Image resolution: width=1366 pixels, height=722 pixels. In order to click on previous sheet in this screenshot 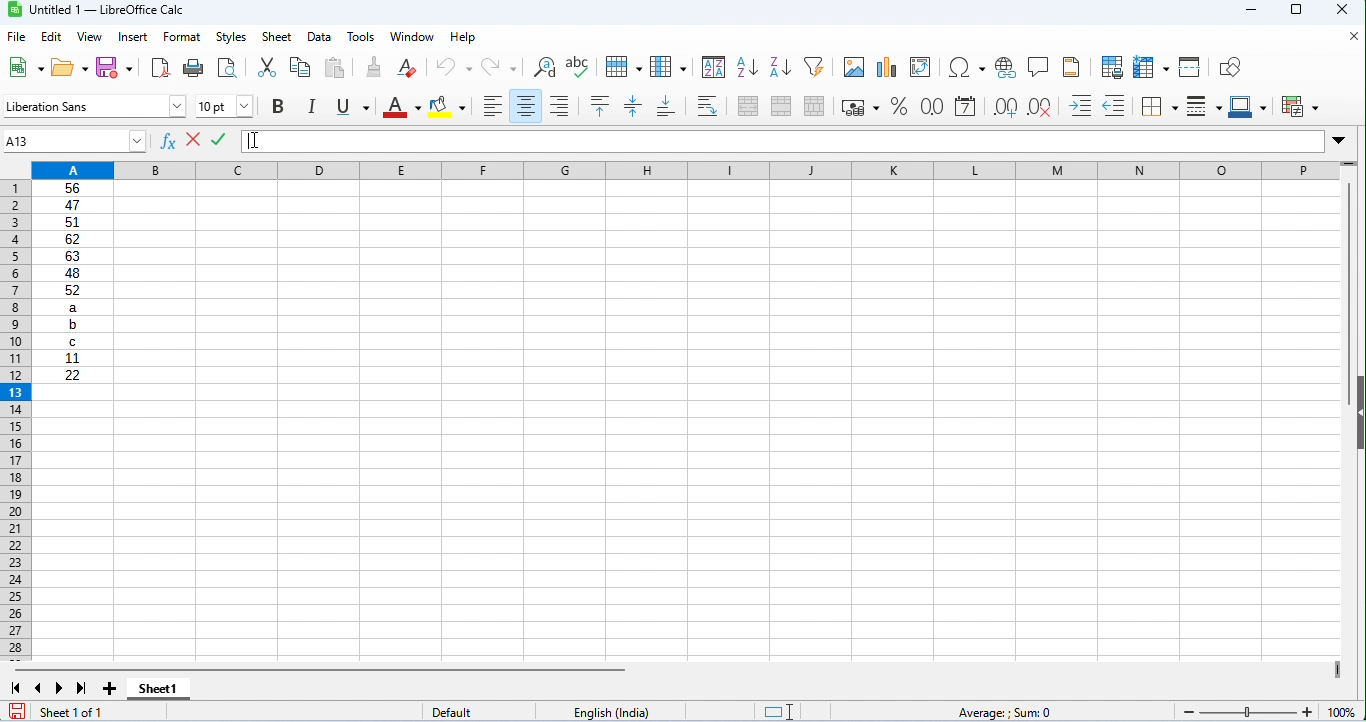, I will do `click(41, 688)`.